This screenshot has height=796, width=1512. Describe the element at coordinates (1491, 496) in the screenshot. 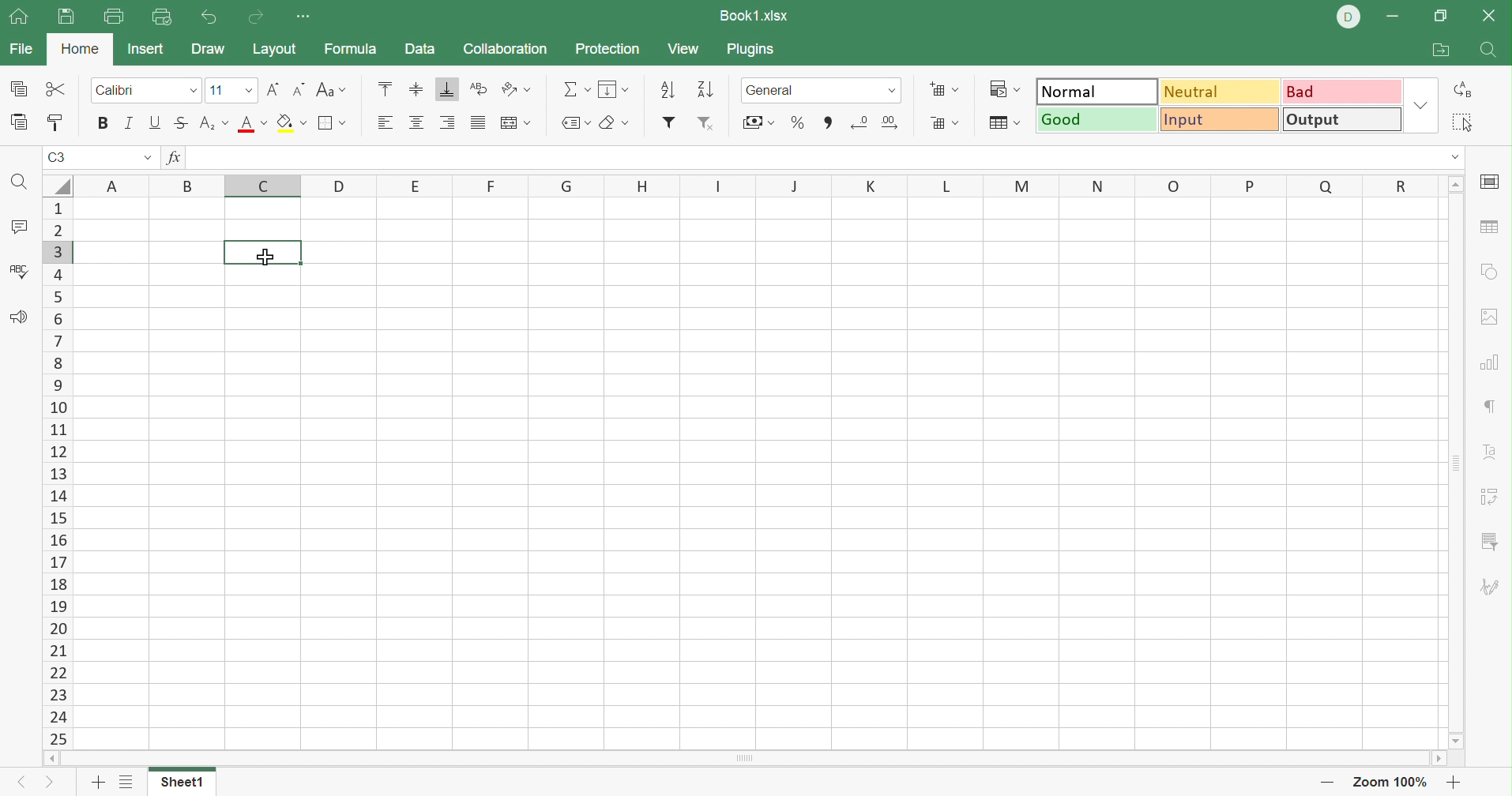

I see `Pivot table settings` at that location.